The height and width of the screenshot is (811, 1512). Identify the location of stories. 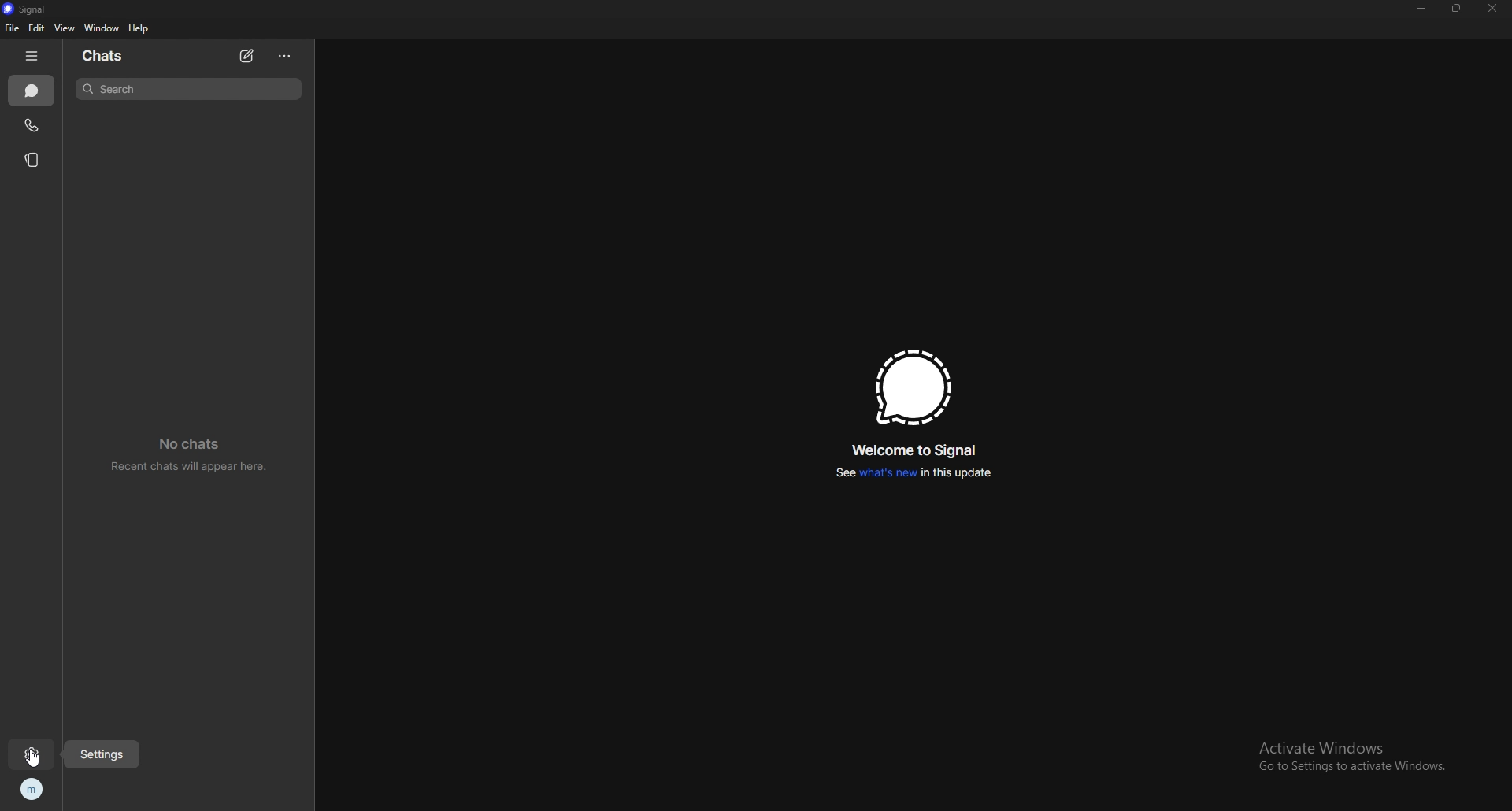
(36, 160).